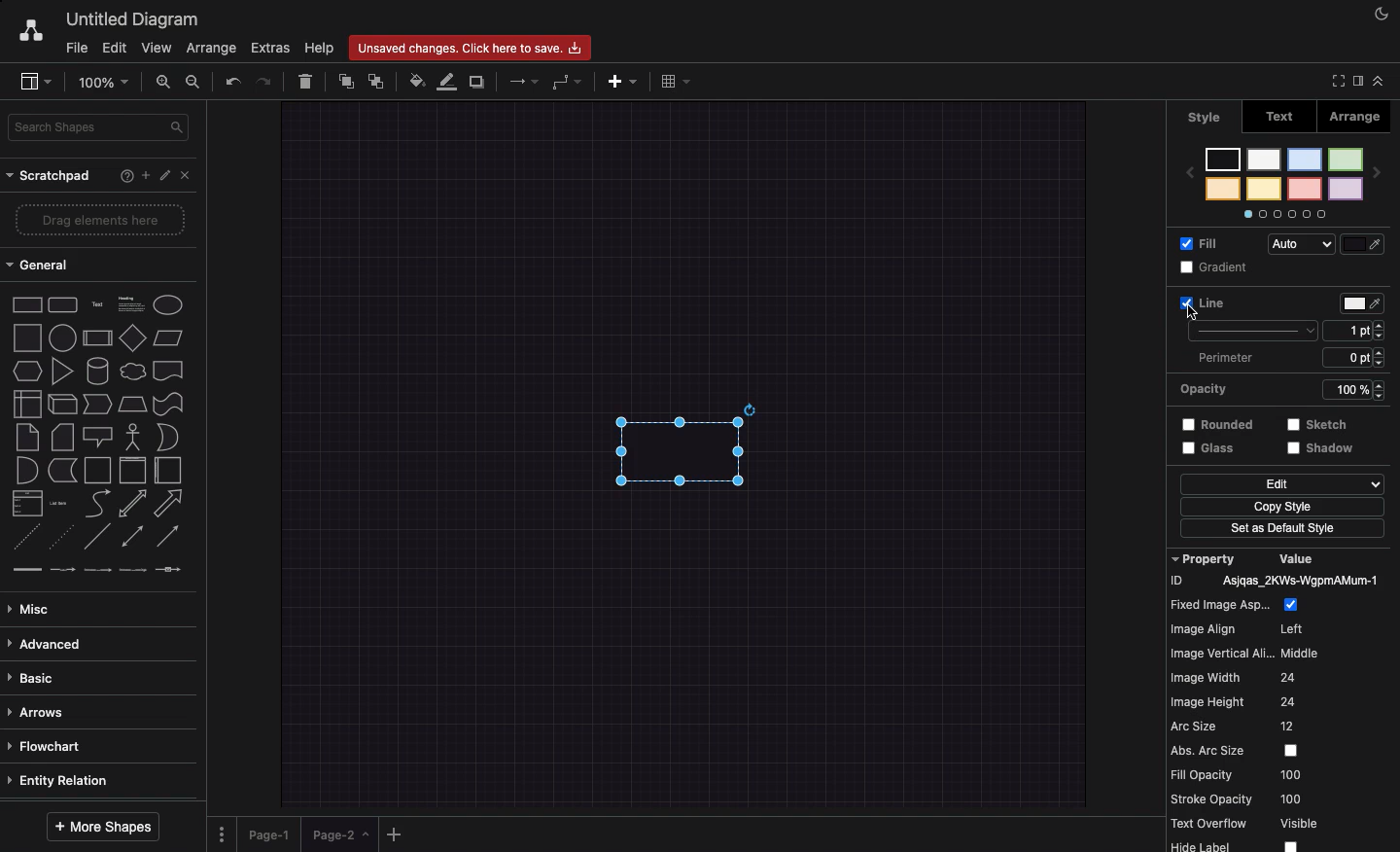  What do you see at coordinates (624, 79) in the screenshot?
I see `Ad` at bounding box center [624, 79].